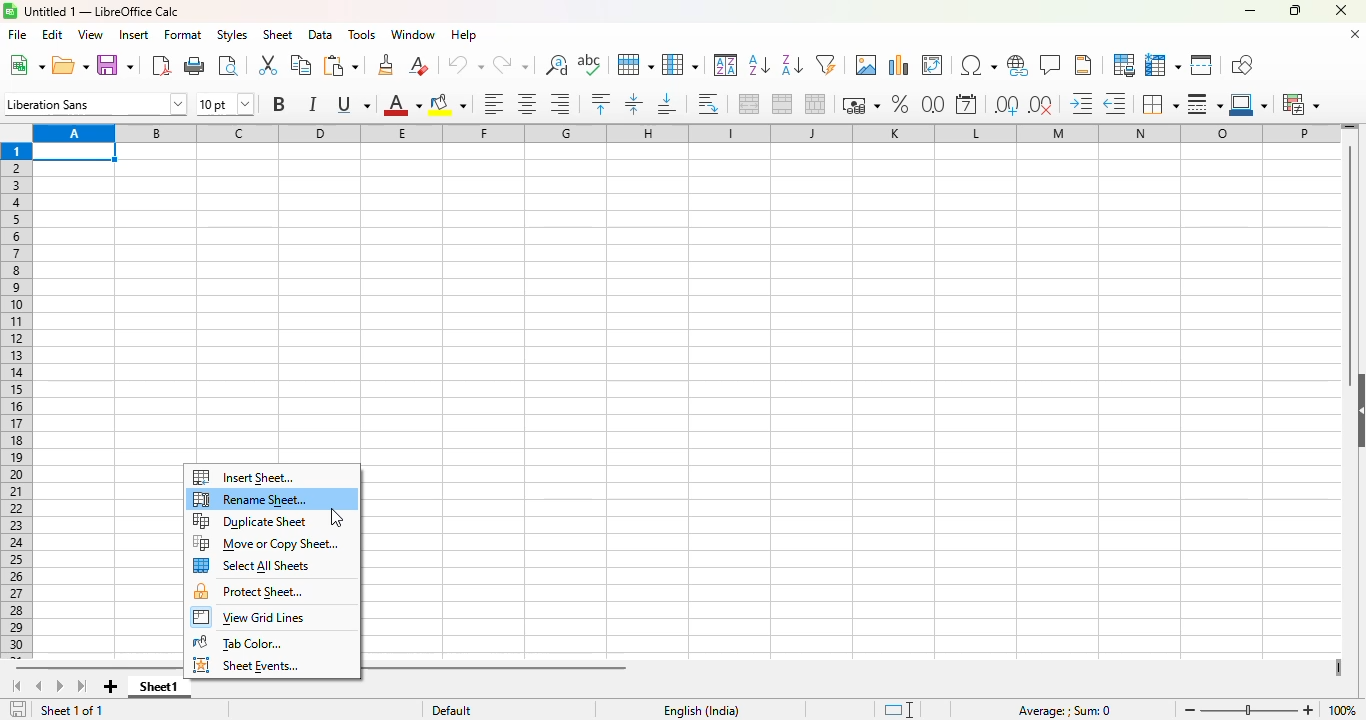 Image resolution: width=1366 pixels, height=720 pixels. I want to click on wrap text, so click(708, 105).